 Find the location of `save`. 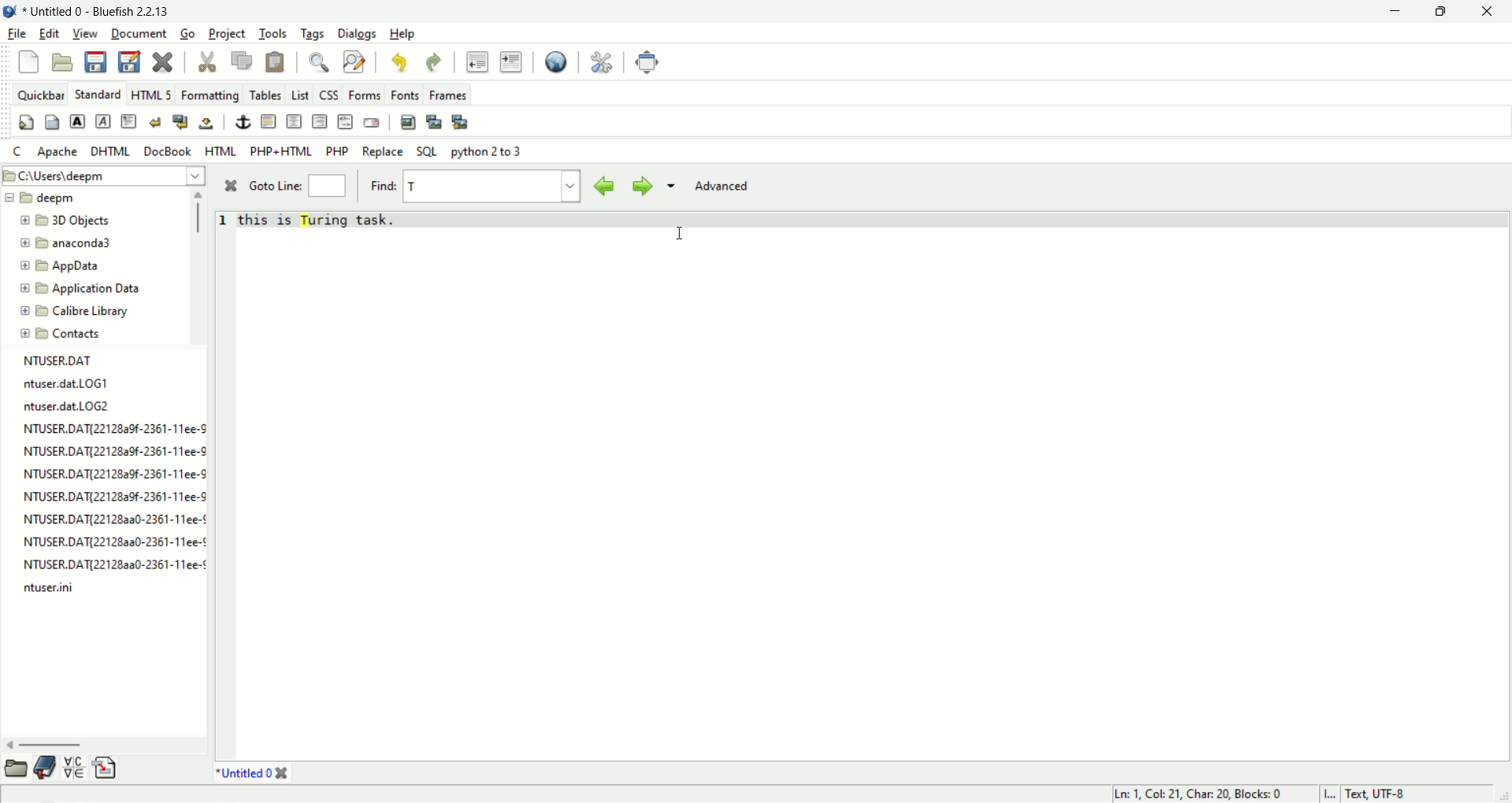

save is located at coordinates (94, 61).